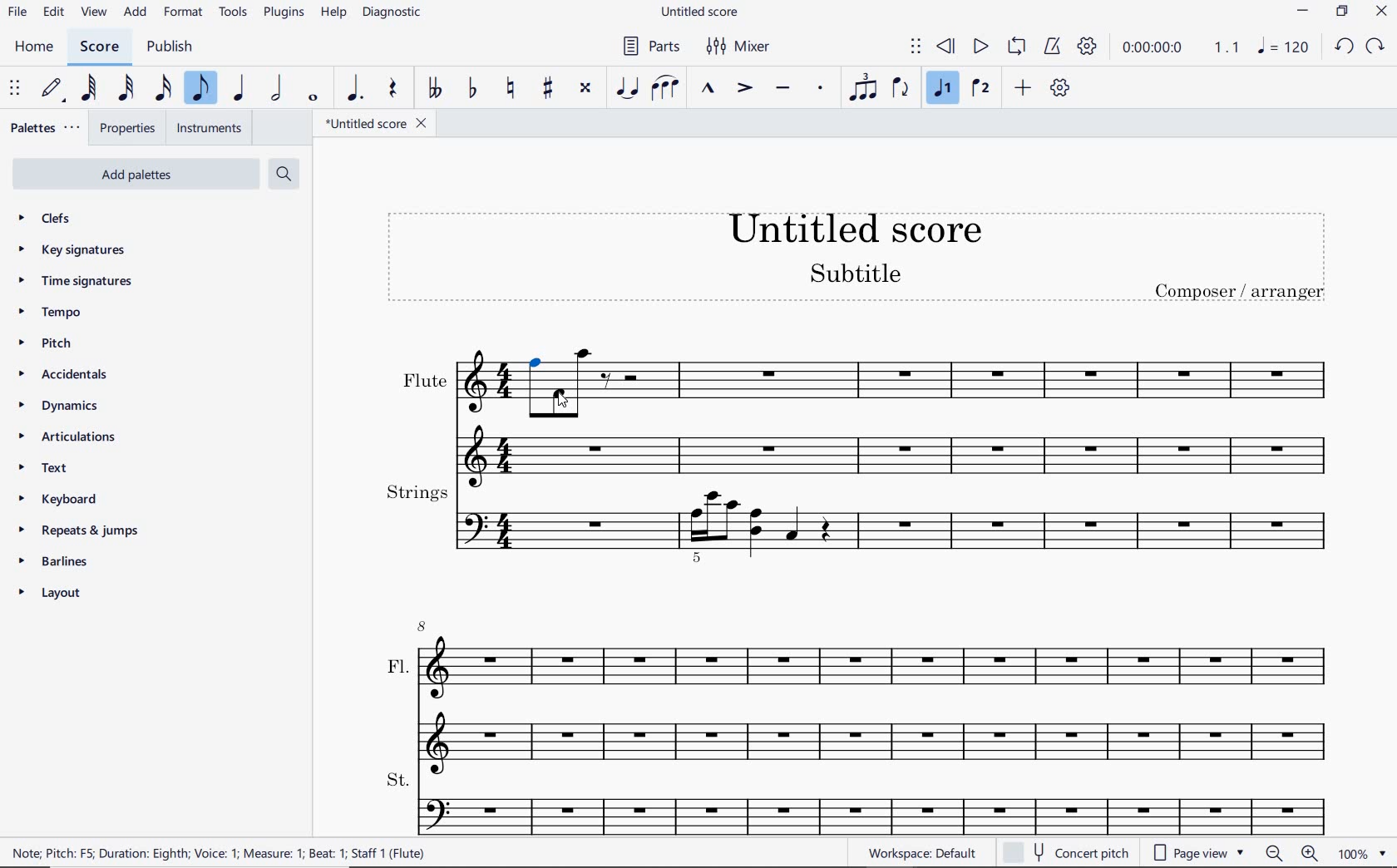 This screenshot has width=1397, height=868. Describe the element at coordinates (650, 47) in the screenshot. I see `PARTS` at that location.